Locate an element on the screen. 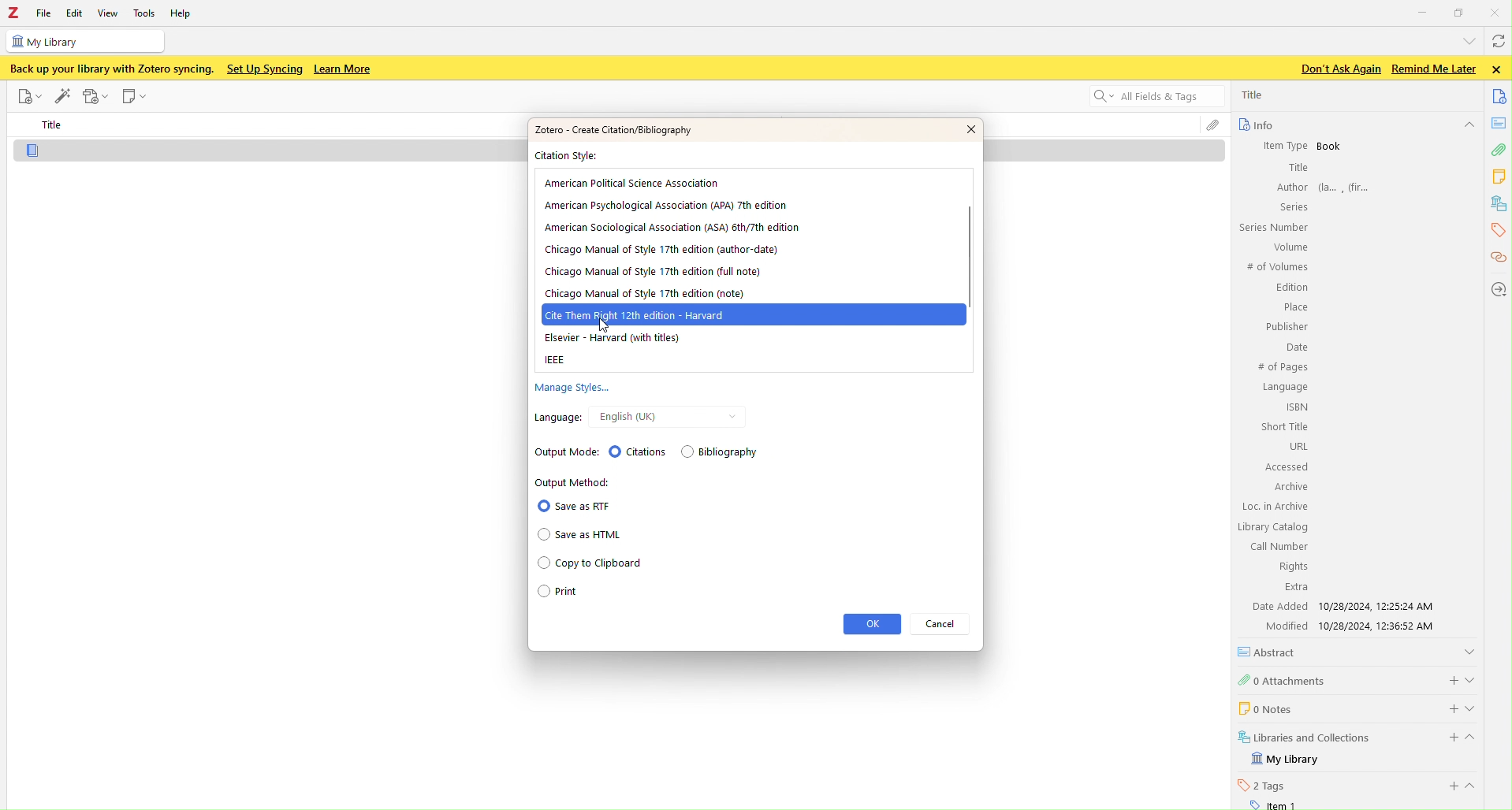 Image resolution: width=1512 pixels, height=810 pixels. Loc. in Archive is located at coordinates (1276, 507).